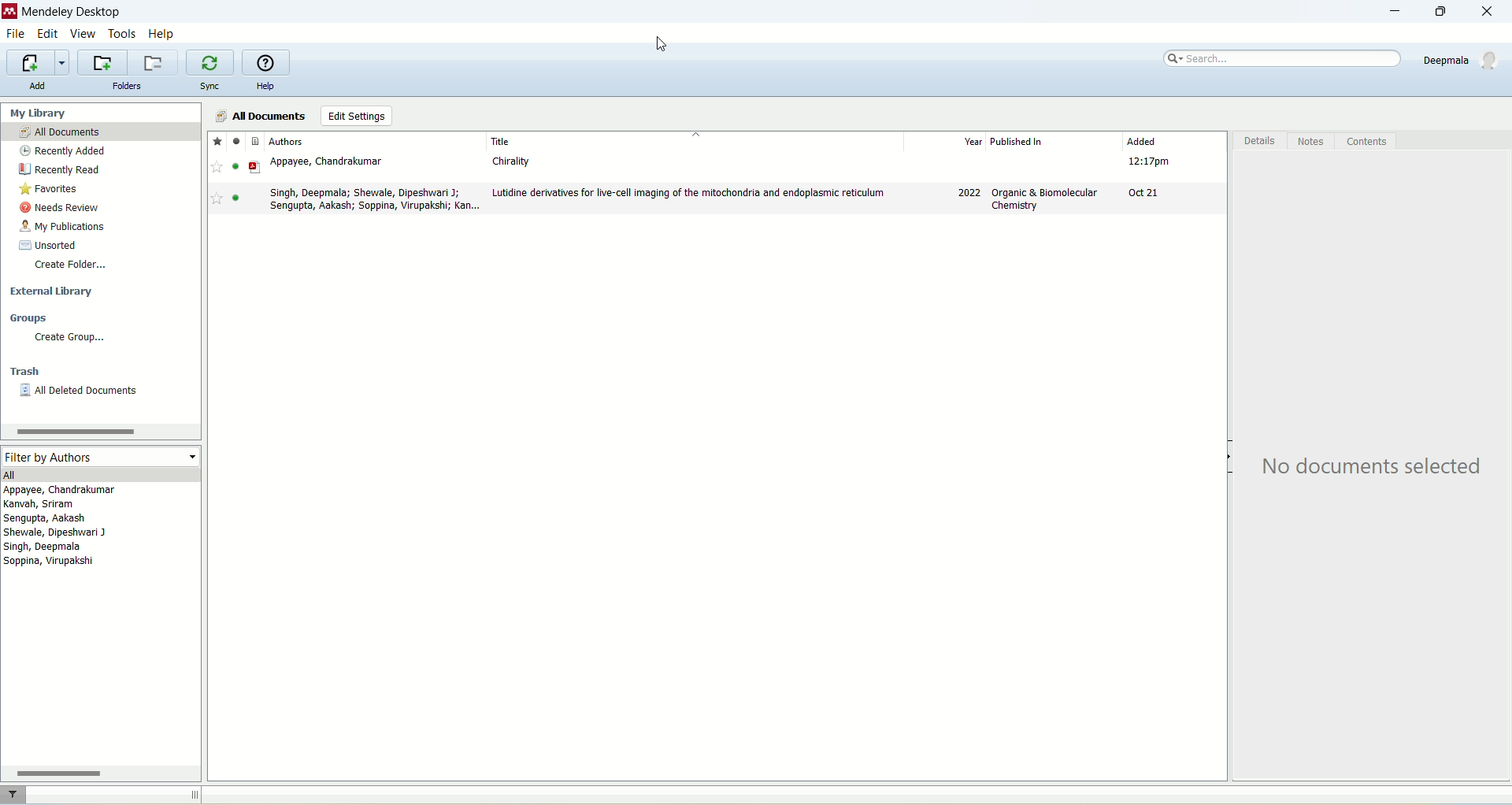 The image size is (1512, 805). What do you see at coordinates (62, 169) in the screenshot?
I see `recently red` at bounding box center [62, 169].